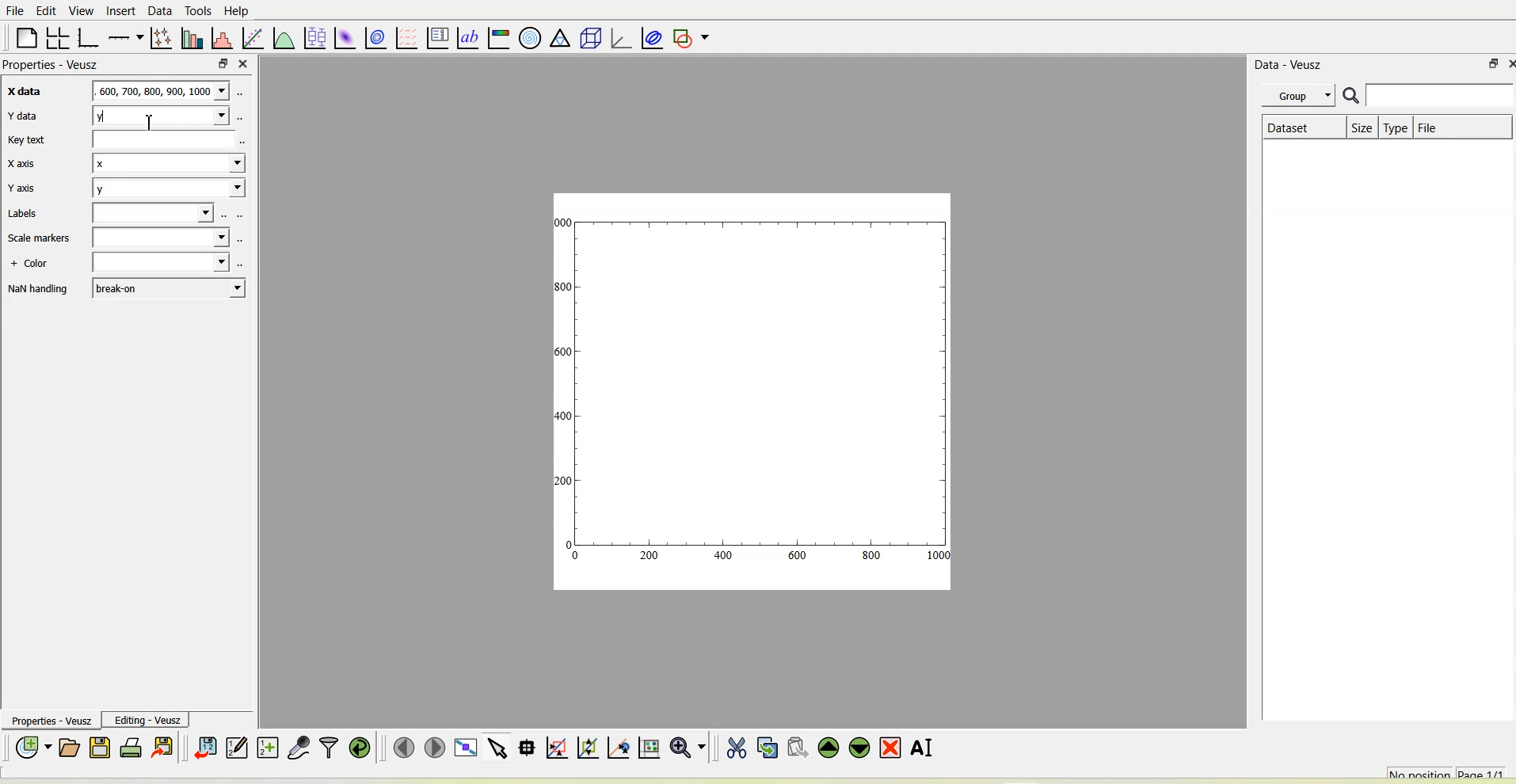  What do you see at coordinates (1301, 94) in the screenshot?
I see `Group` at bounding box center [1301, 94].